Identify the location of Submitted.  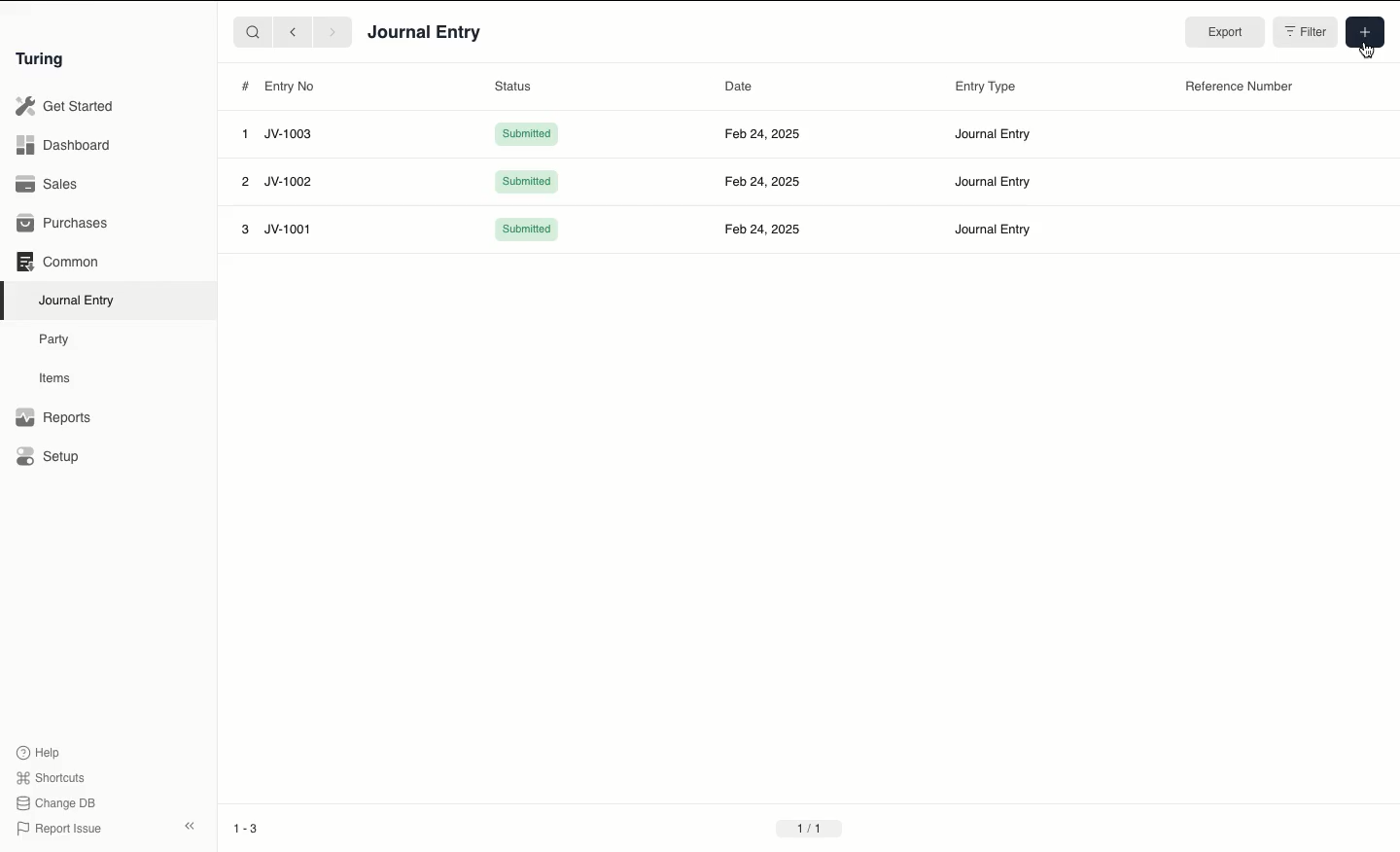
(529, 231).